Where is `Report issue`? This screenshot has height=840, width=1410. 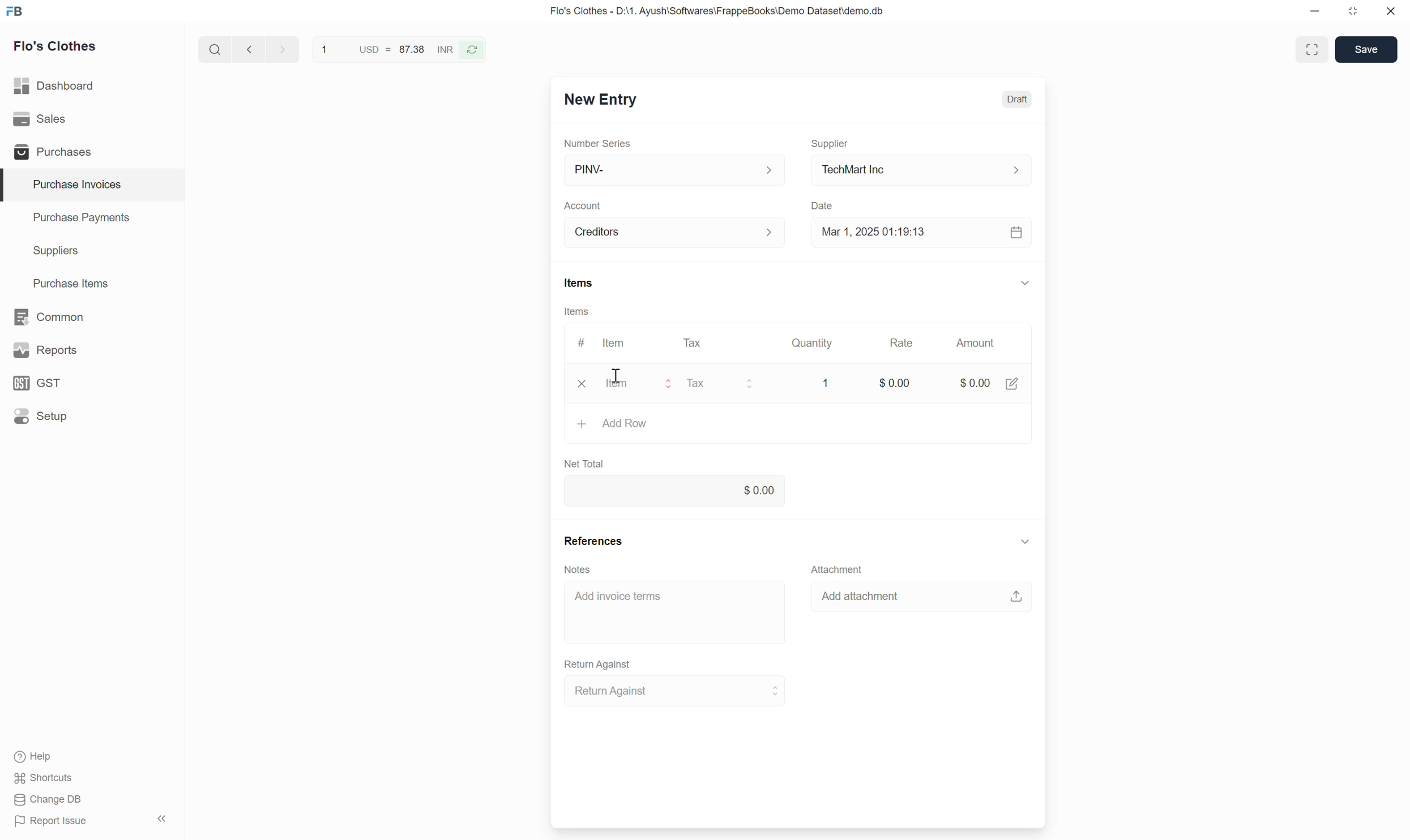 Report issue is located at coordinates (55, 823).